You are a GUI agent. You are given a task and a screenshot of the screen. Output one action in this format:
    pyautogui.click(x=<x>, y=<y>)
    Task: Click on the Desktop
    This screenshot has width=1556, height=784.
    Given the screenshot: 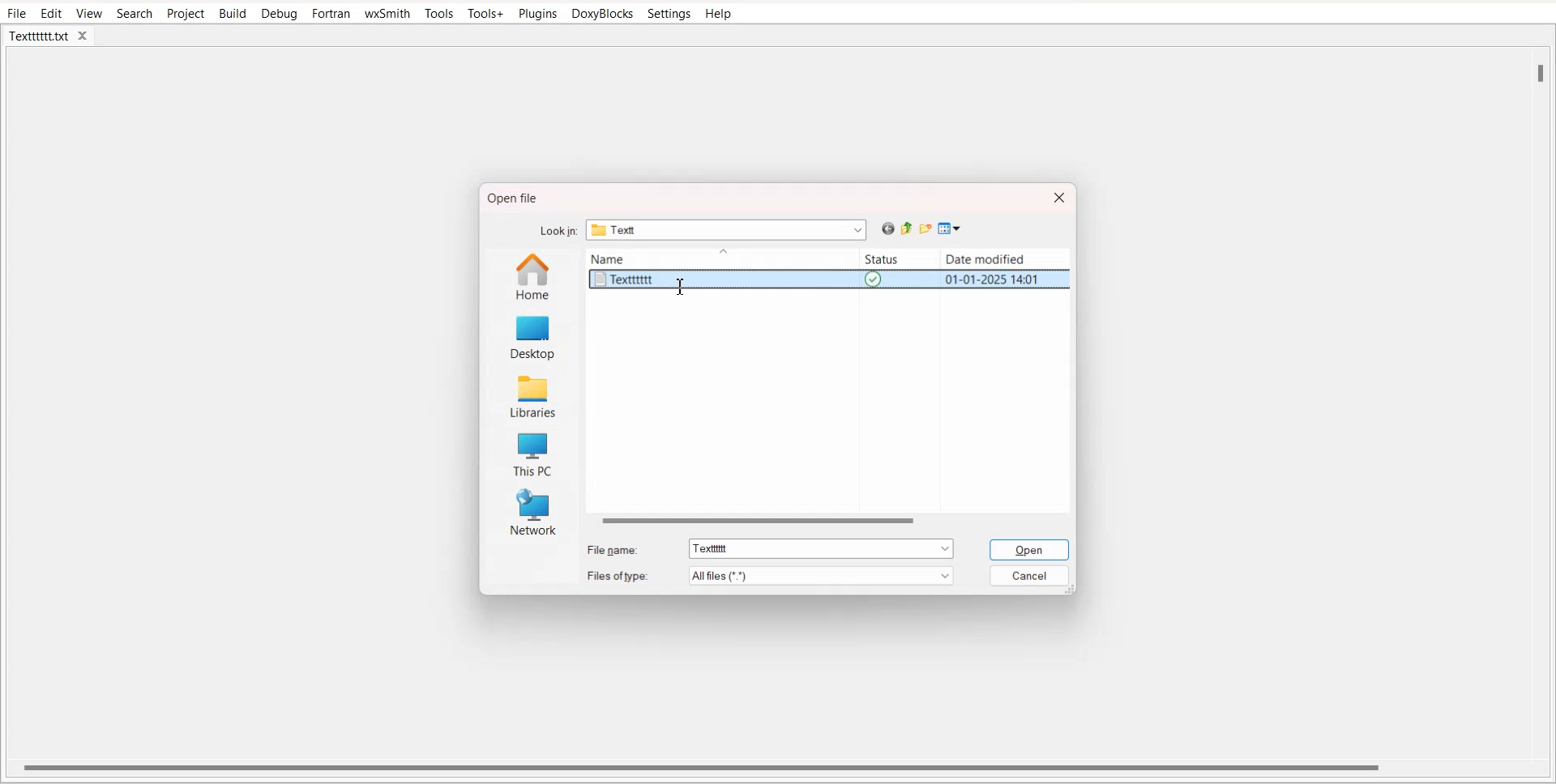 What is the action you would take?
    pyautogui.click(x=536, y=336)
    